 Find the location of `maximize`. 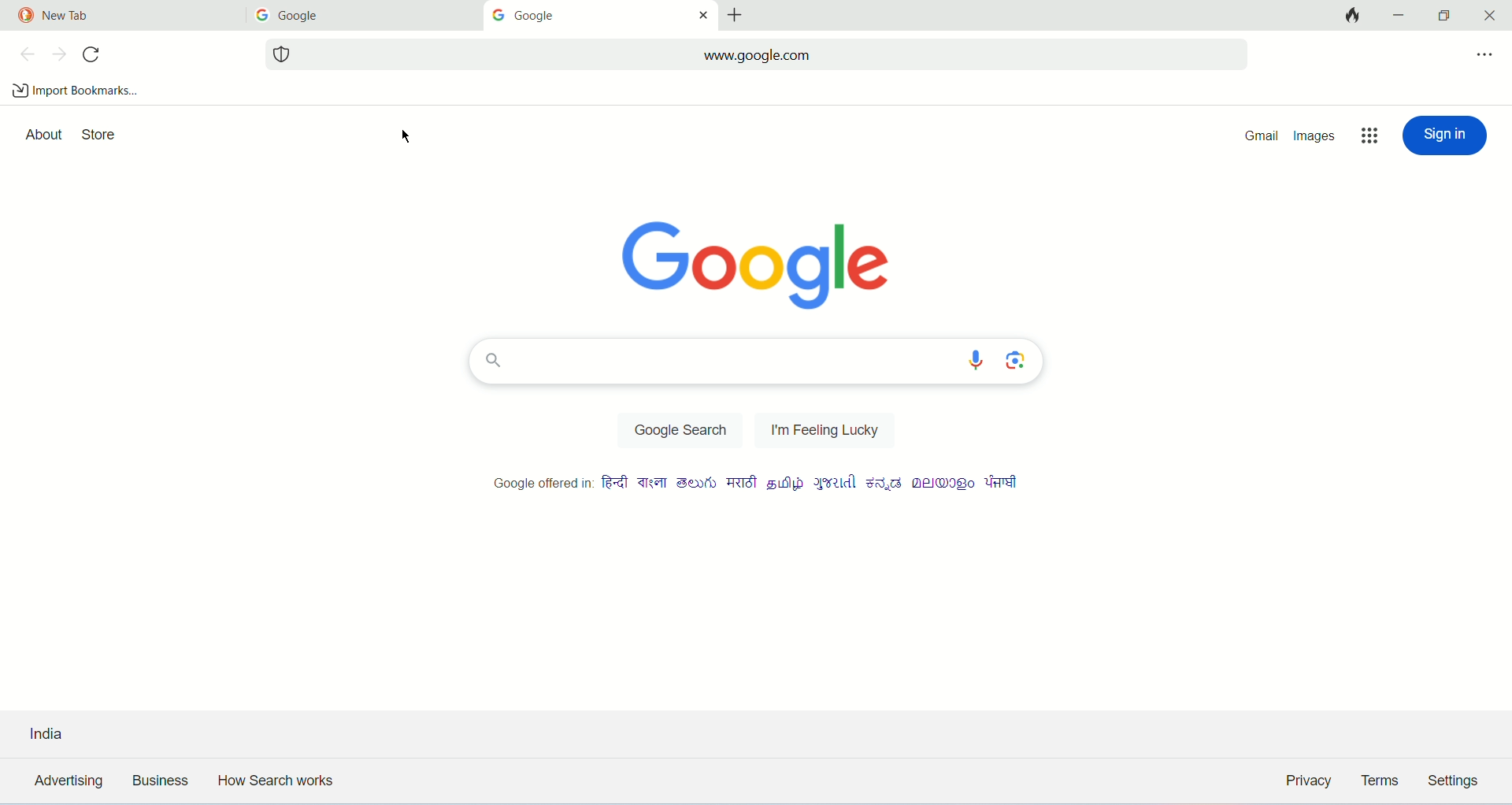

maximize is located at coordinates (1442, 13).